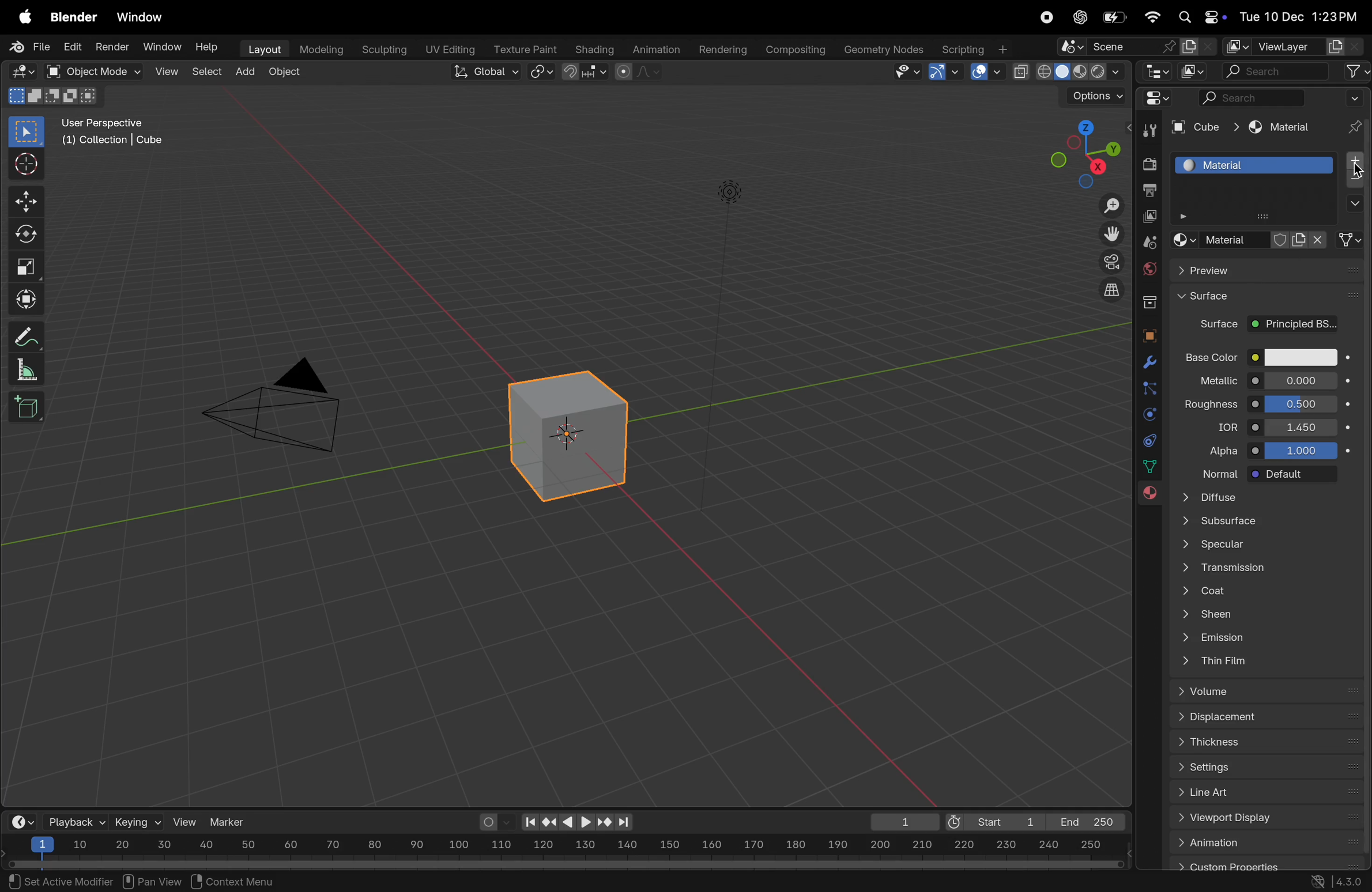 The image size is (1372, 892). Describe the element at coordinates (1301, 428) in the screenshot. I see `1.400` at that location.